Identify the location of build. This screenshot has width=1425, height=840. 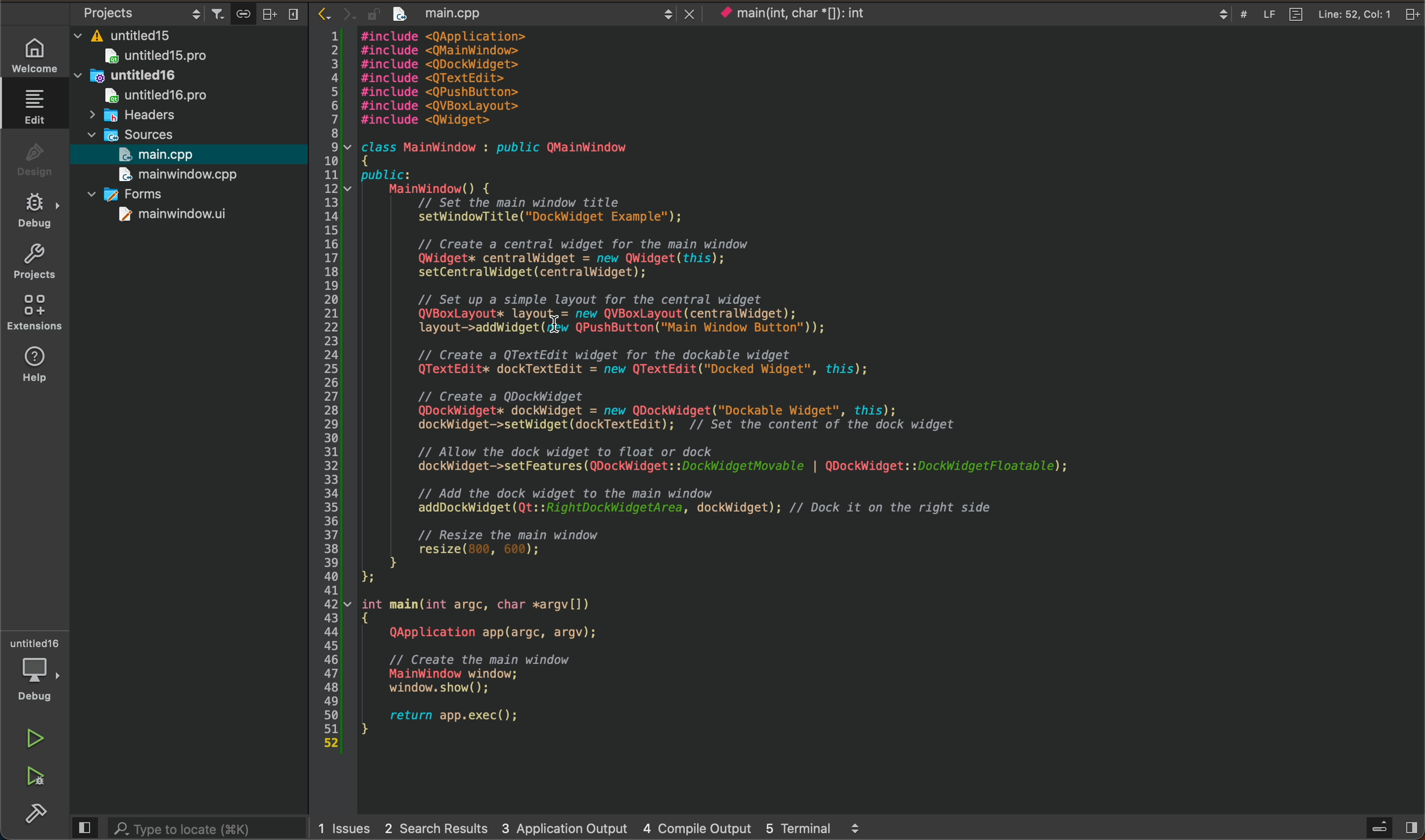
(41, 814).